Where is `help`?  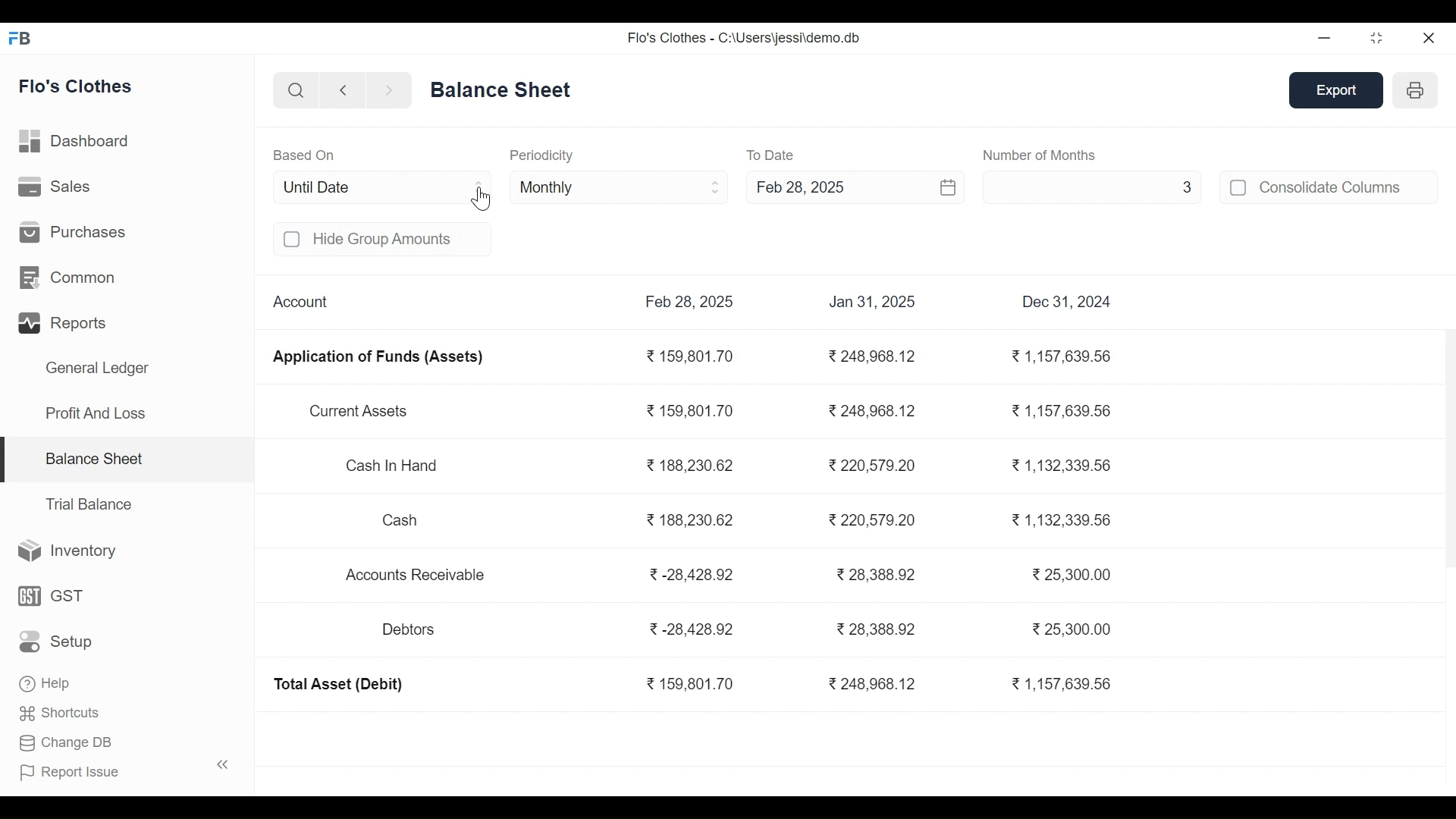 help is located at coordinates (44, 680).